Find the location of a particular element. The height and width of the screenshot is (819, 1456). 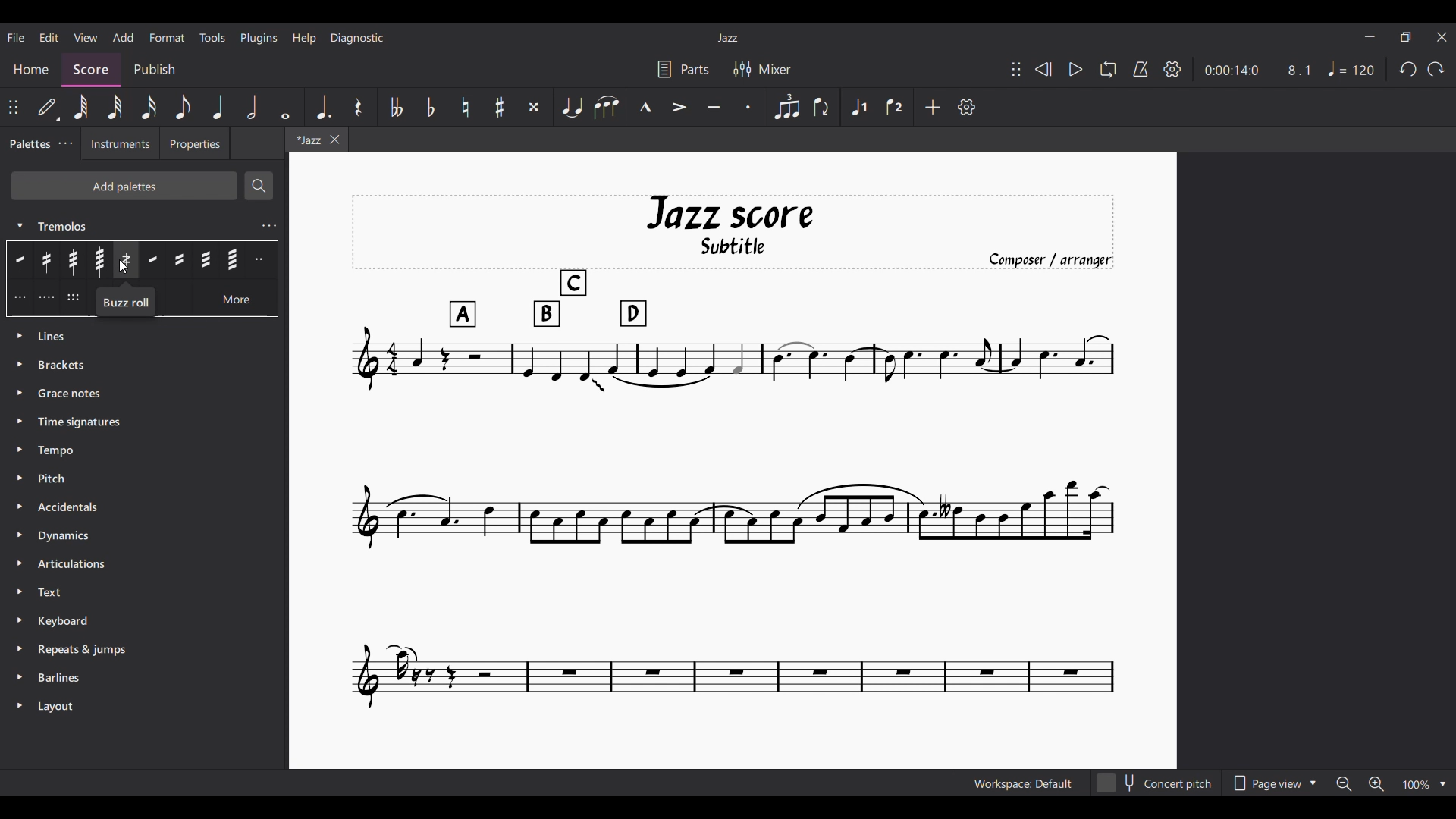

64th through stem is located at coordinates (99, 260).